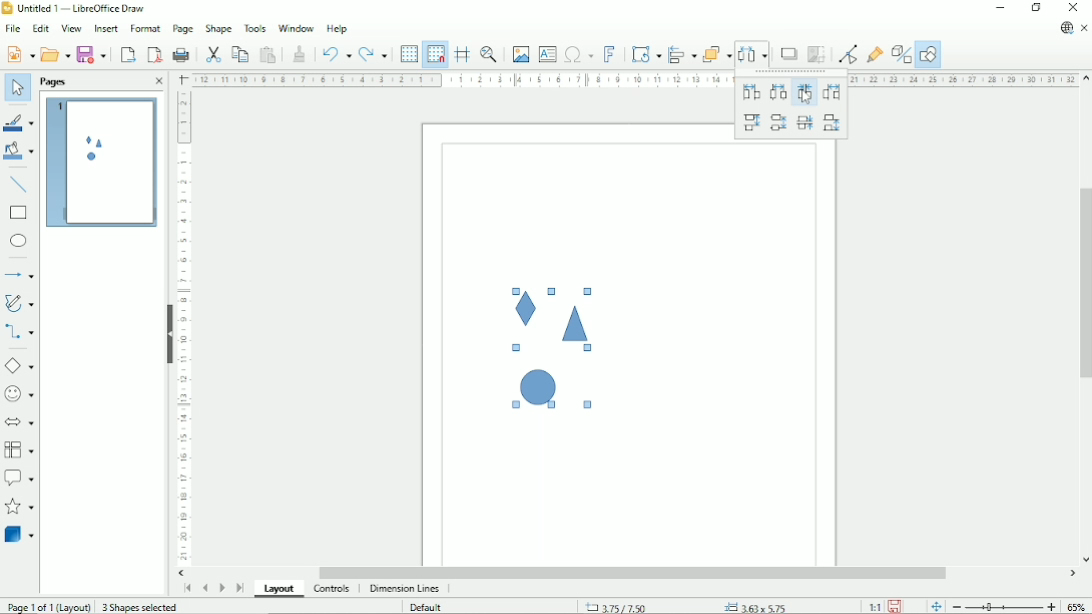 This screenshot has height=614, width=1092. What do you see at coordinates (332, 590) in the screenshot?
I see `Controls` at bounding box center [332, 590].